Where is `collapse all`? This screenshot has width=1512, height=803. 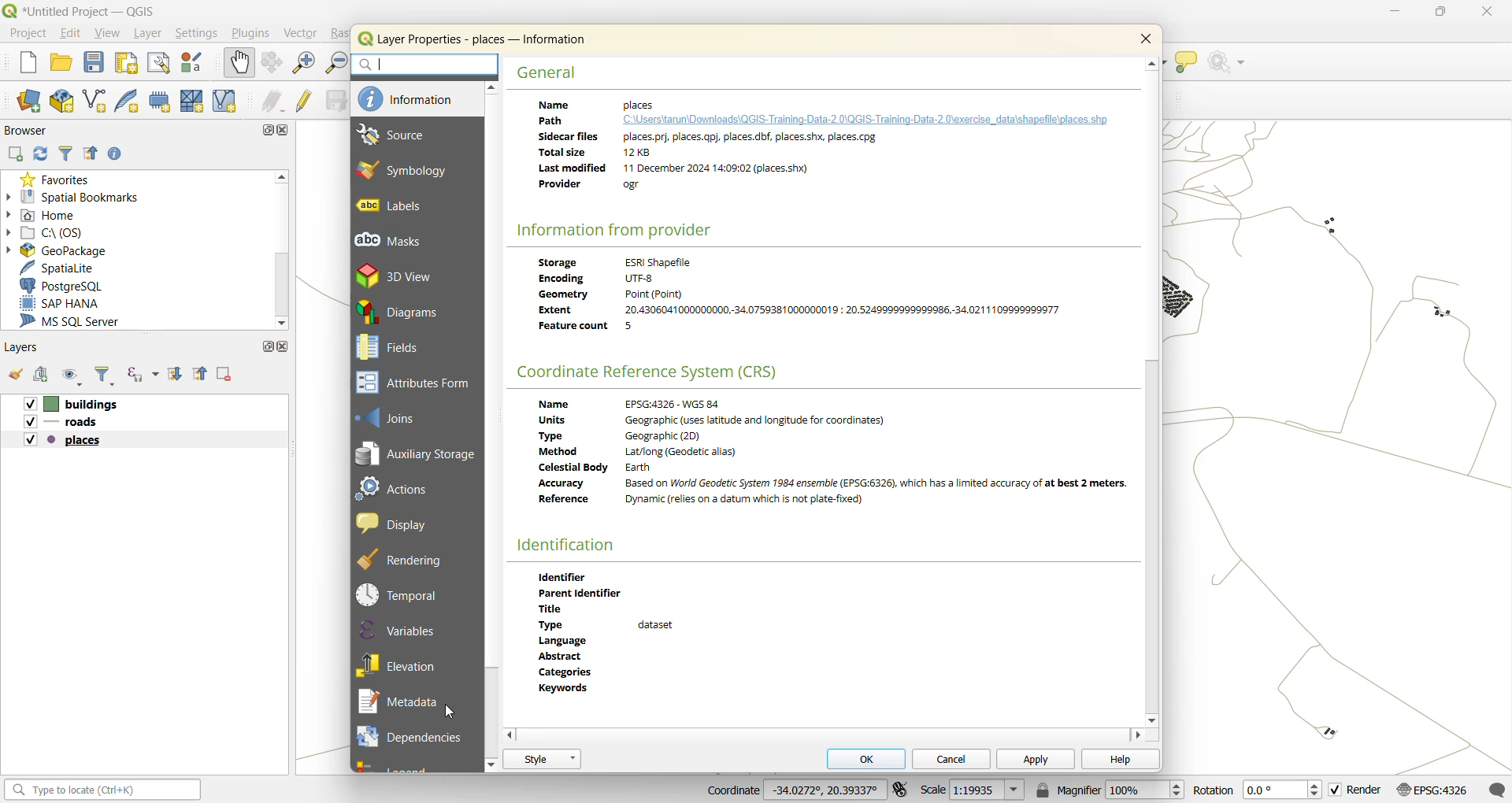 collapse all is located at coordinates (89, 154).